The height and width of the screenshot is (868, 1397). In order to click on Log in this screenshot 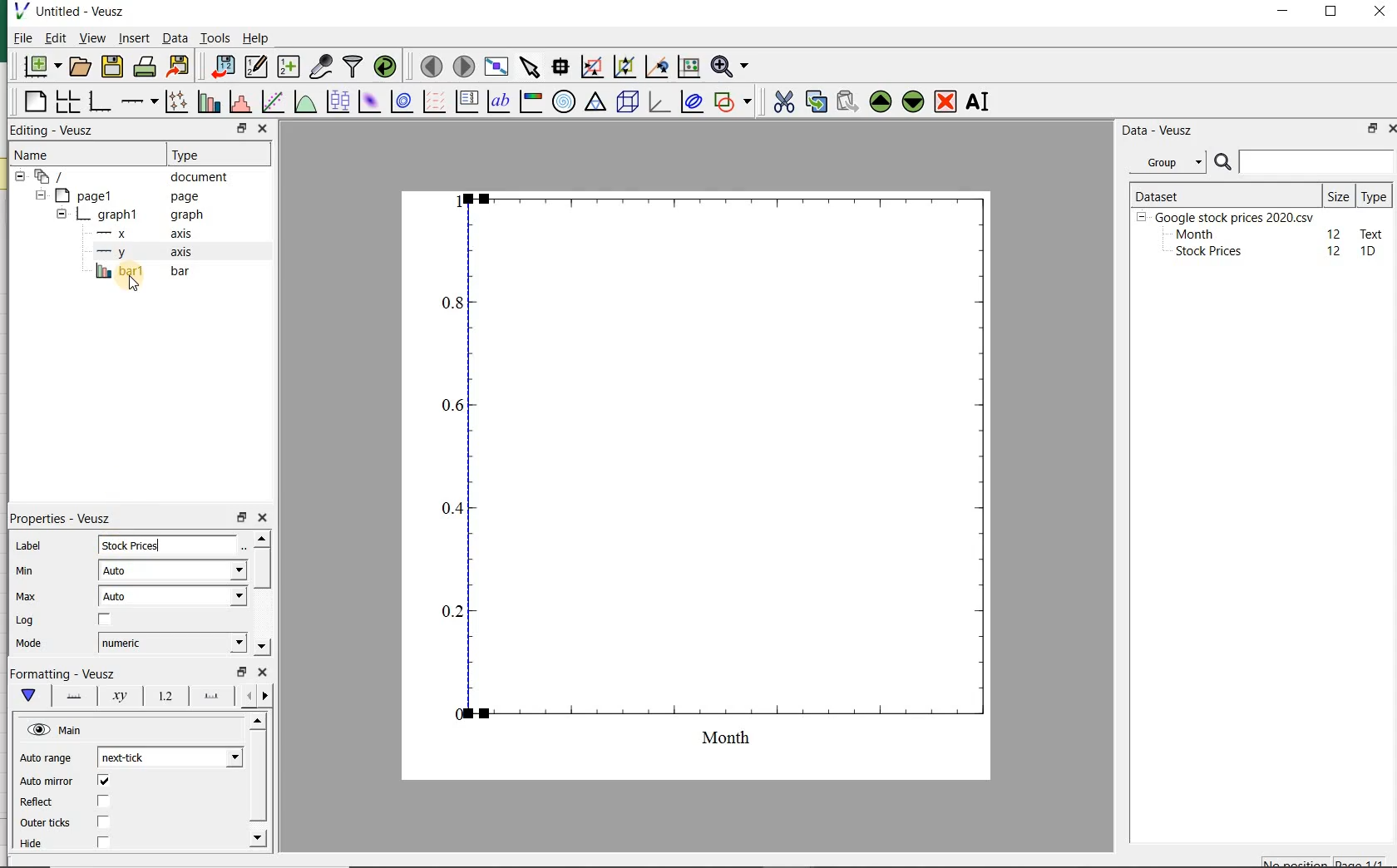, I will do `click(24, 620)`.